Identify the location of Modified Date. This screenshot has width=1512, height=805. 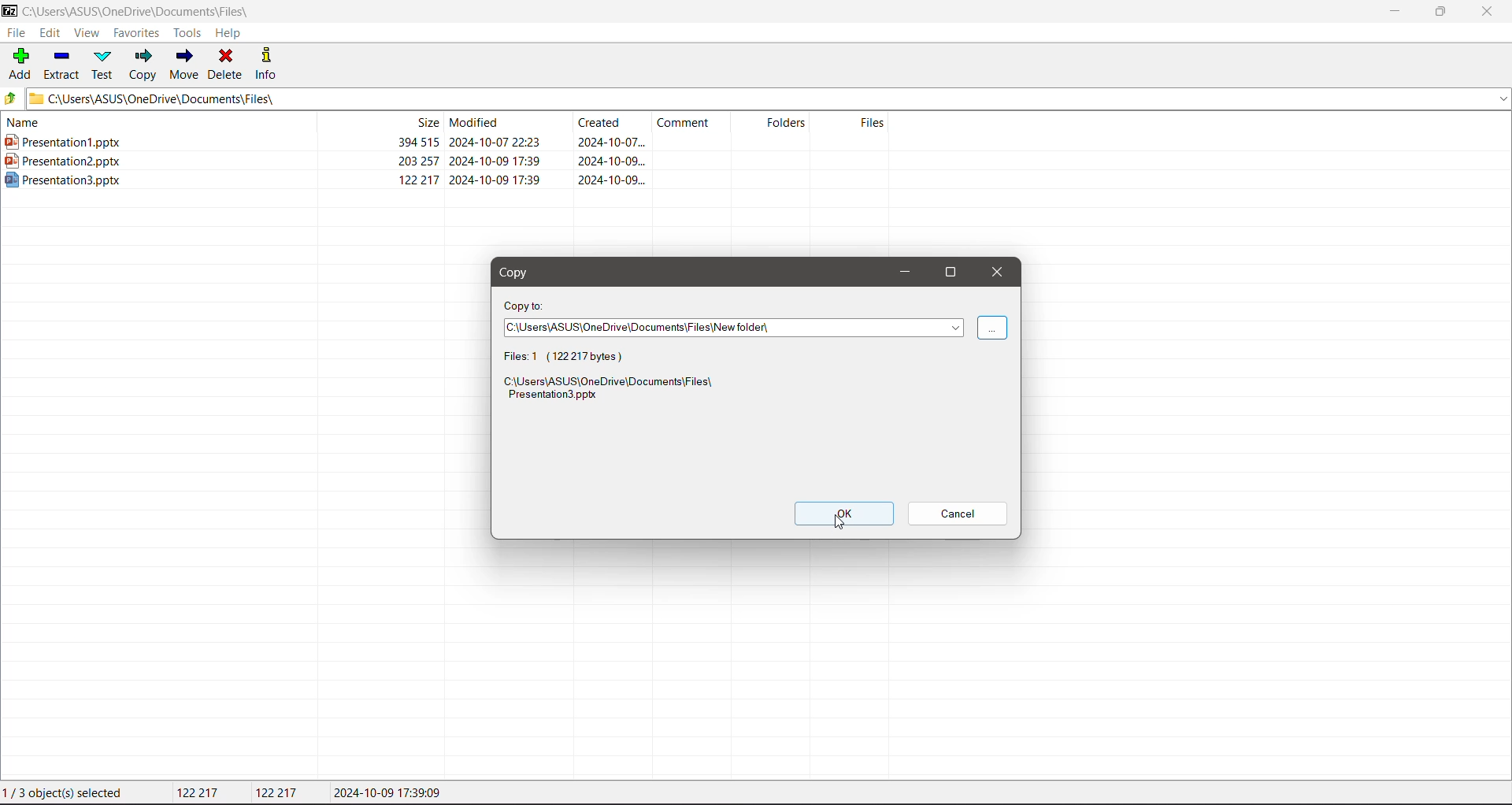
(509, 122).